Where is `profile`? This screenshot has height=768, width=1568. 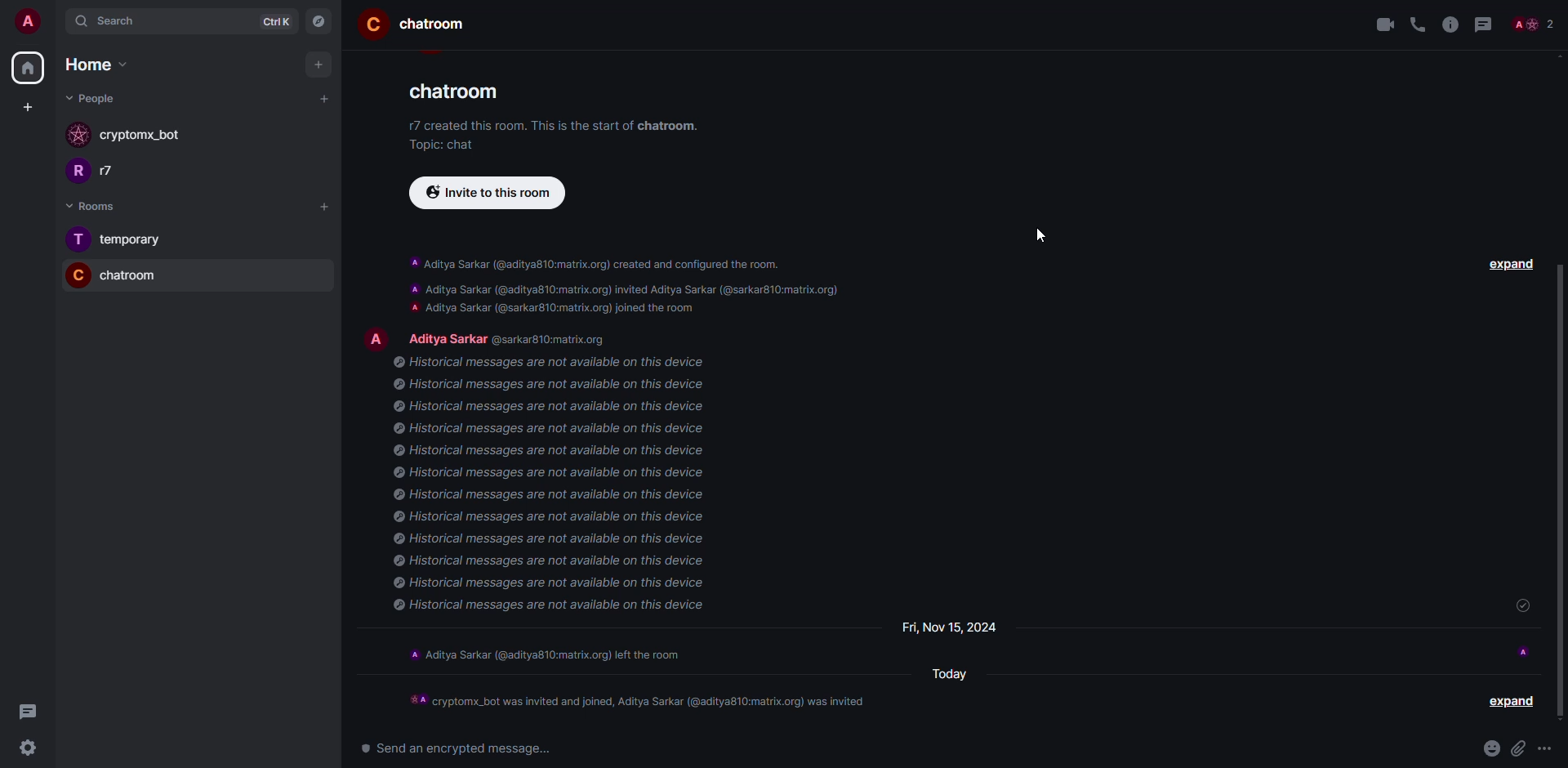
profile is located at coordinates (376, 339).